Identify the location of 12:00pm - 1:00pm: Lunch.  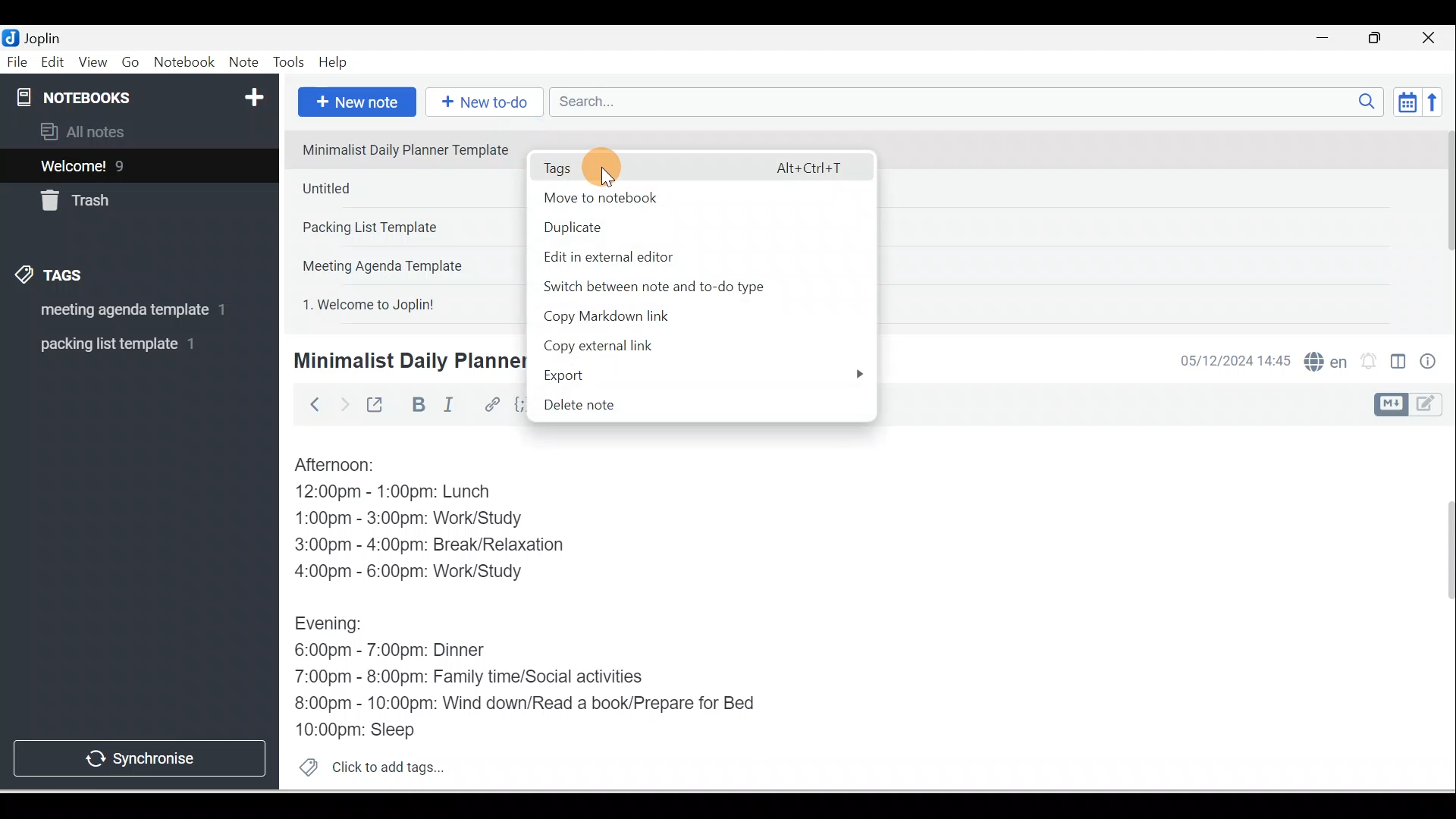
(410, 493).